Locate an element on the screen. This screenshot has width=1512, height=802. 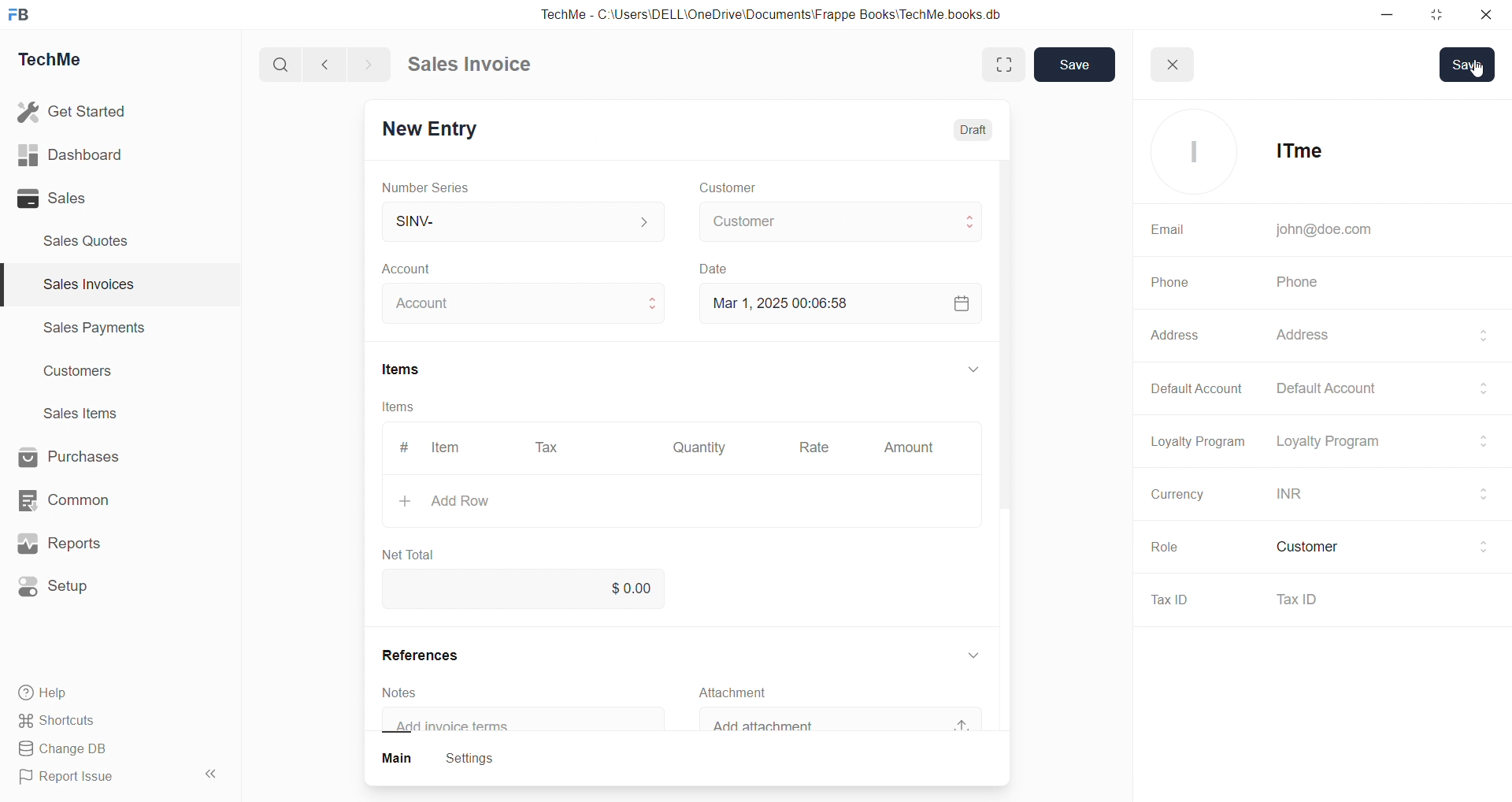
& Get Started is located at coordinates (74, 110).